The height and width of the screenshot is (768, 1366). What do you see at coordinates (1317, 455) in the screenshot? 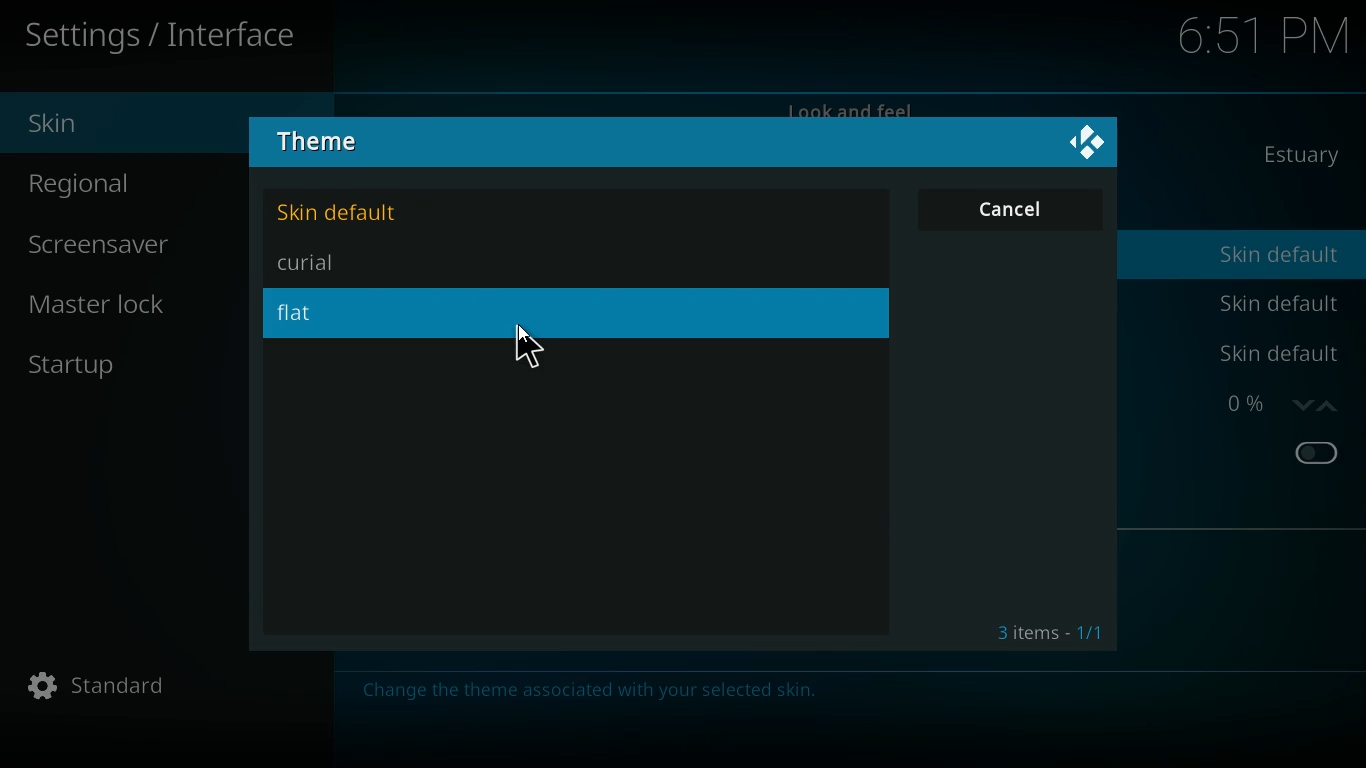
I see `on/off` at bounding box center [1317, 455].